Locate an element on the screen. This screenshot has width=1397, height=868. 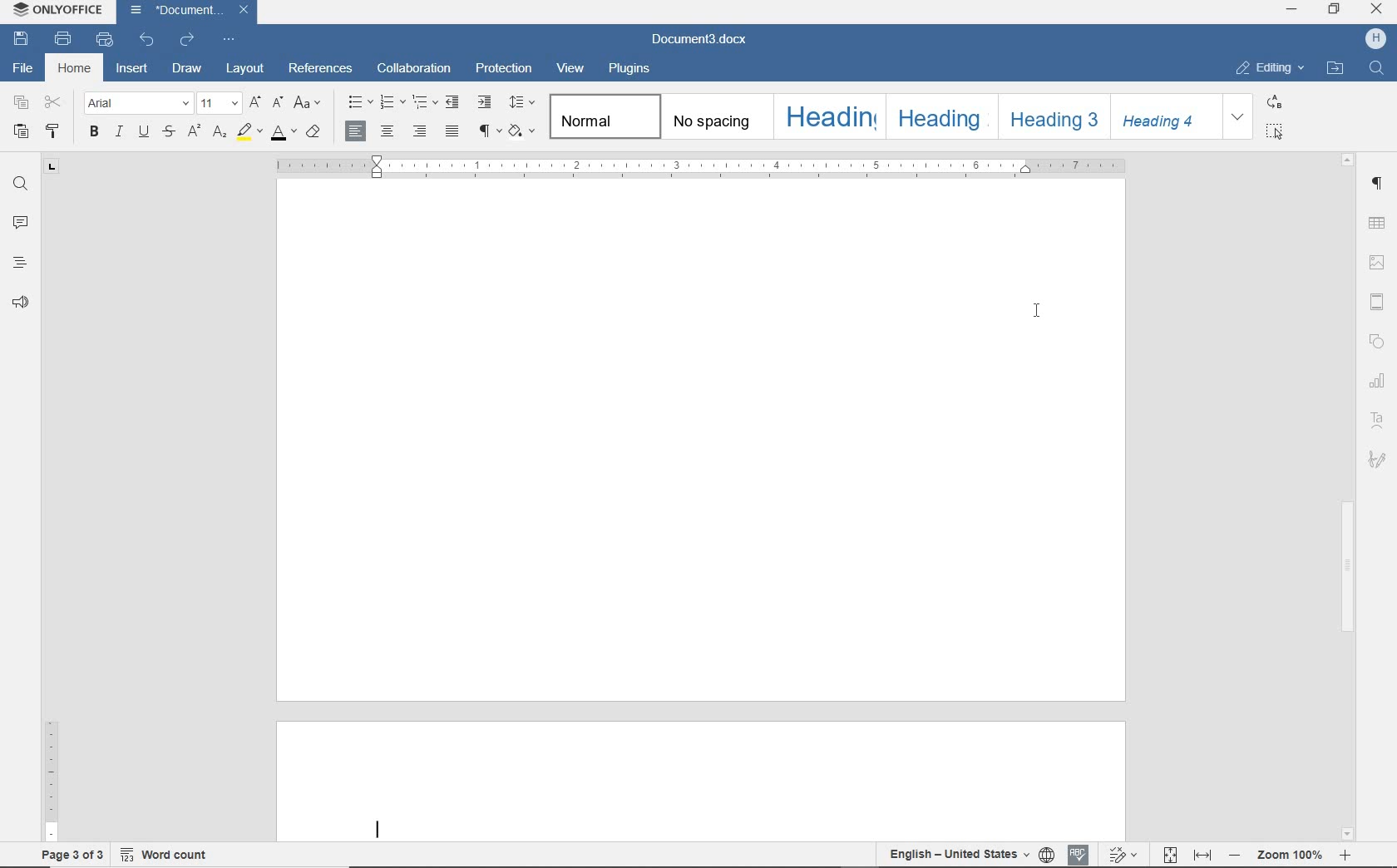
HOME is located at coordinates (76, 69).